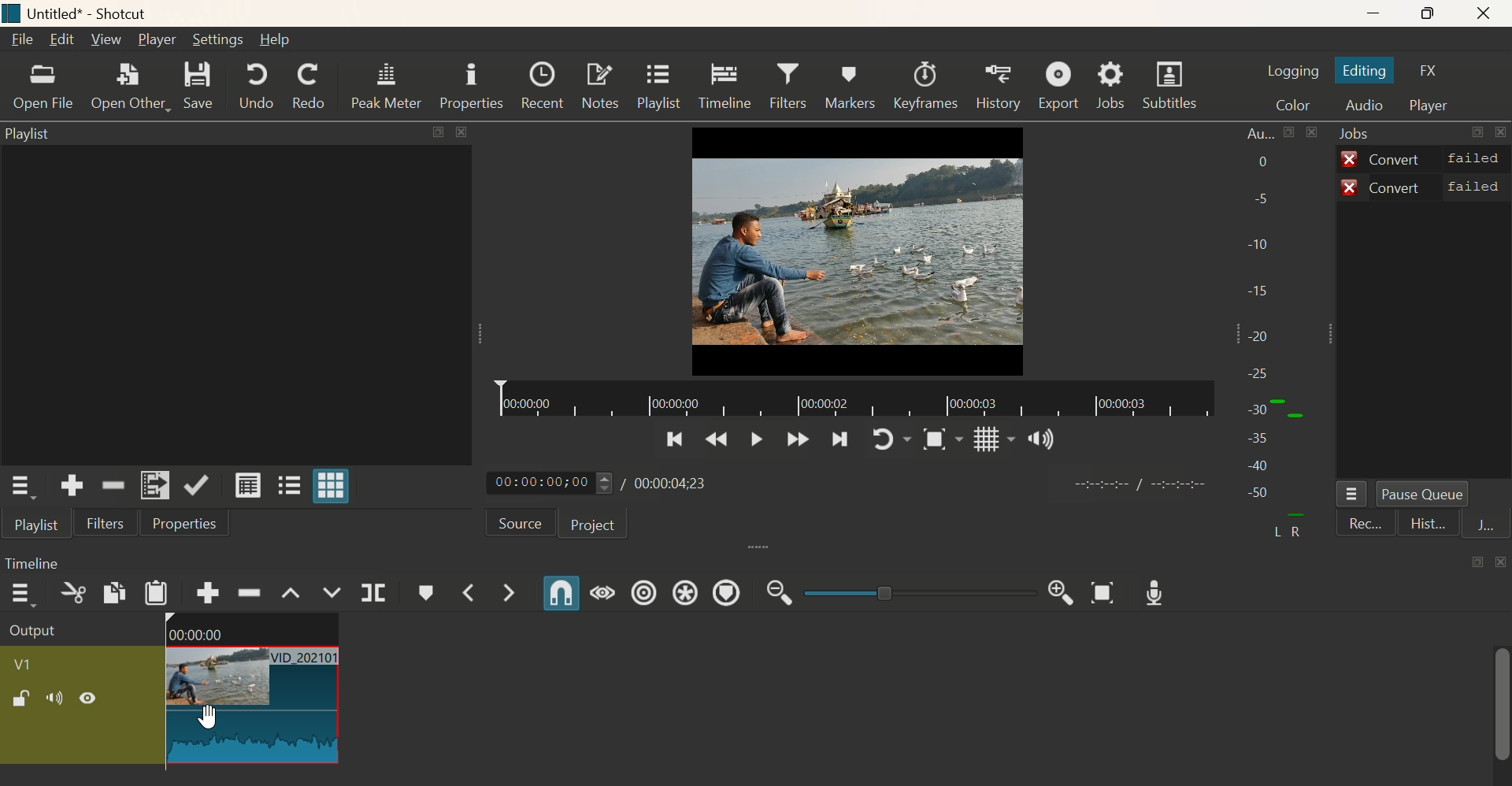  I want to click on Notes, so click(598, 87).